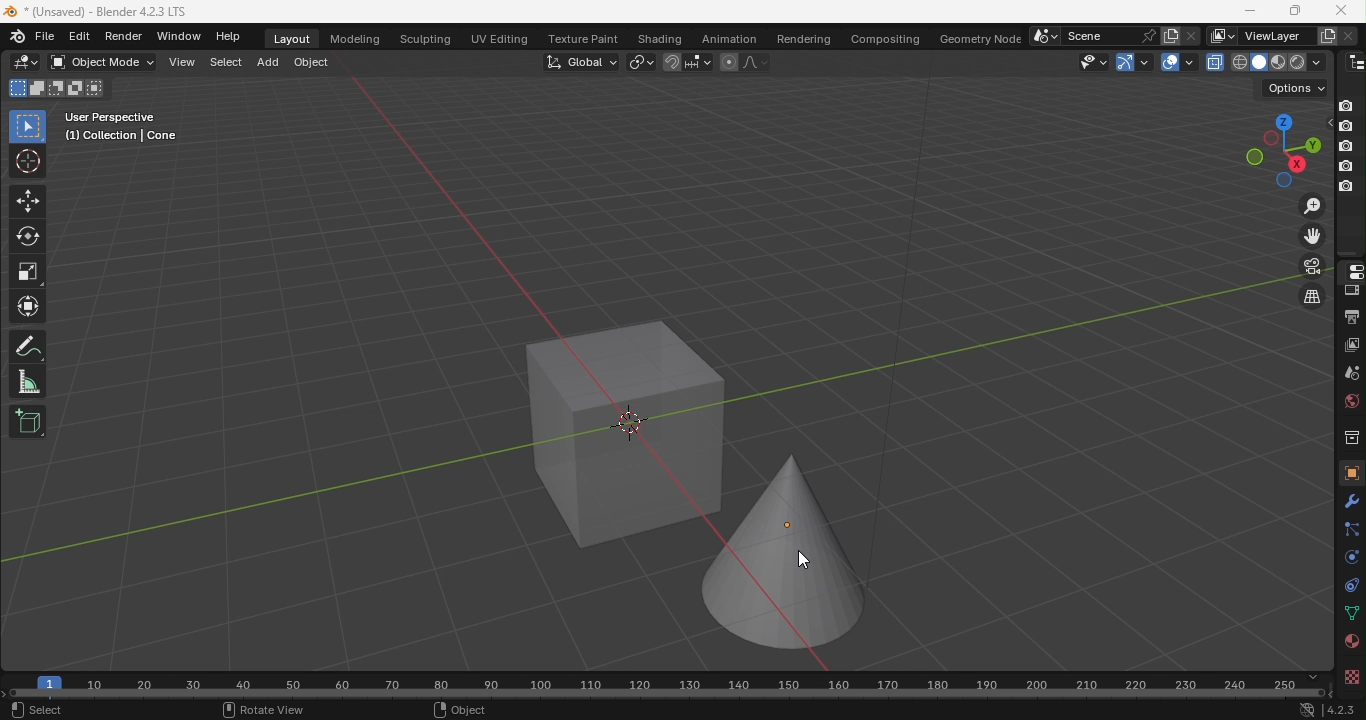  Describe the element at coordinates (222, 65) in the screenshot. I see `Select` at that location.